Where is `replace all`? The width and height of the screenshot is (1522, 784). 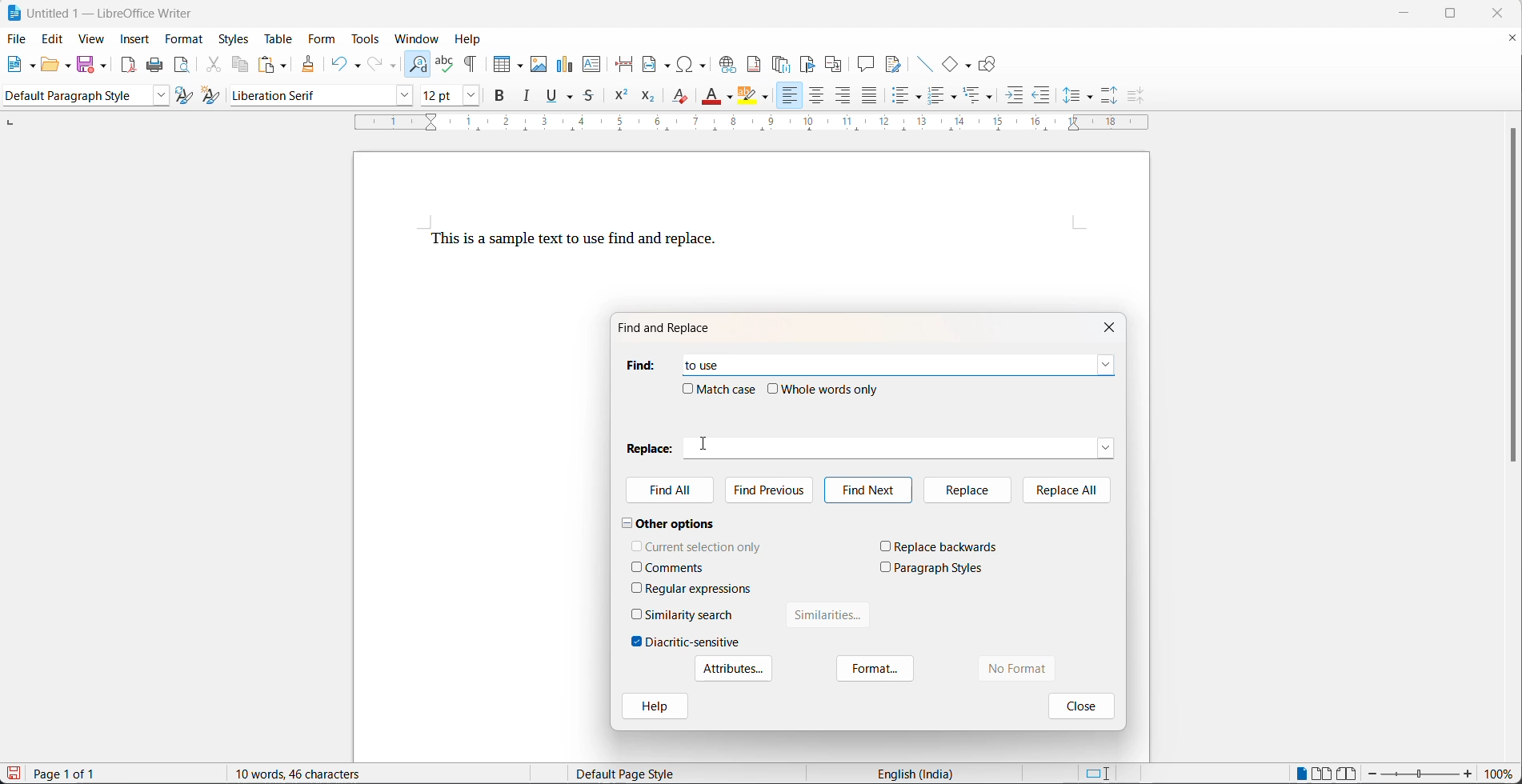
replace all is located at coordinates (1067, 489).